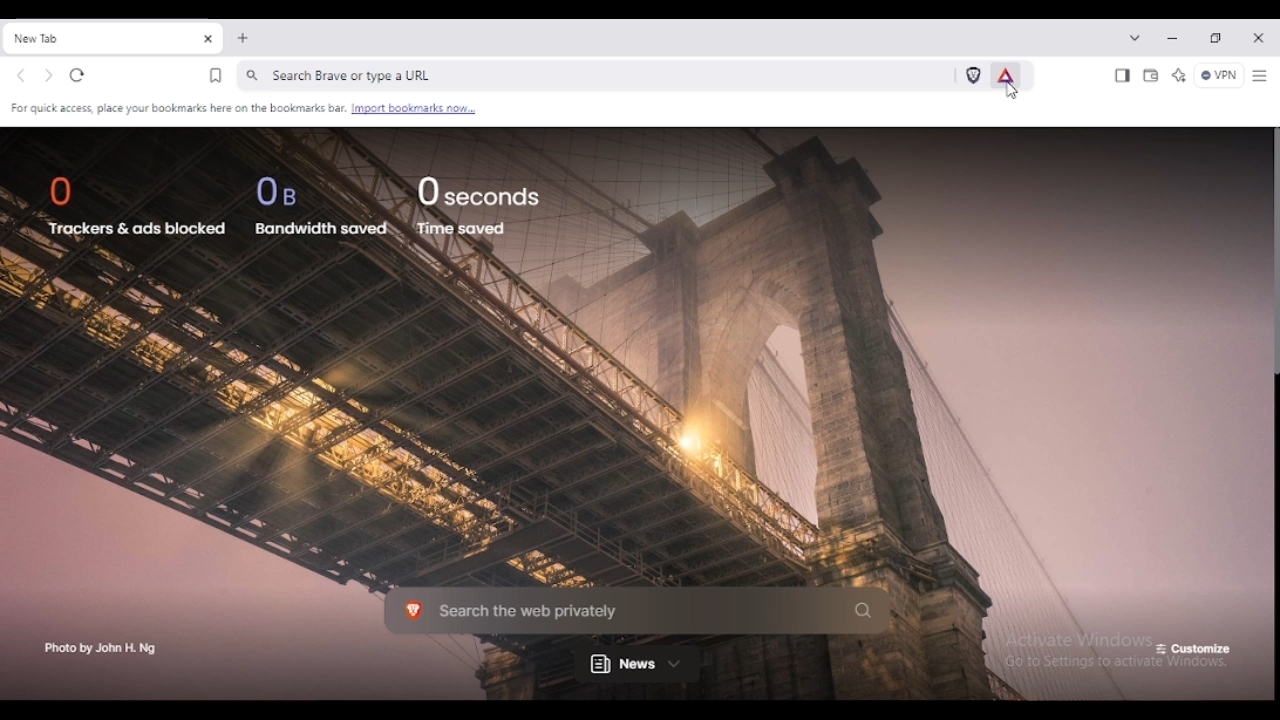 The width and height of the screenshot is (1280, 720). I want to click on close , so click(1258, 38).